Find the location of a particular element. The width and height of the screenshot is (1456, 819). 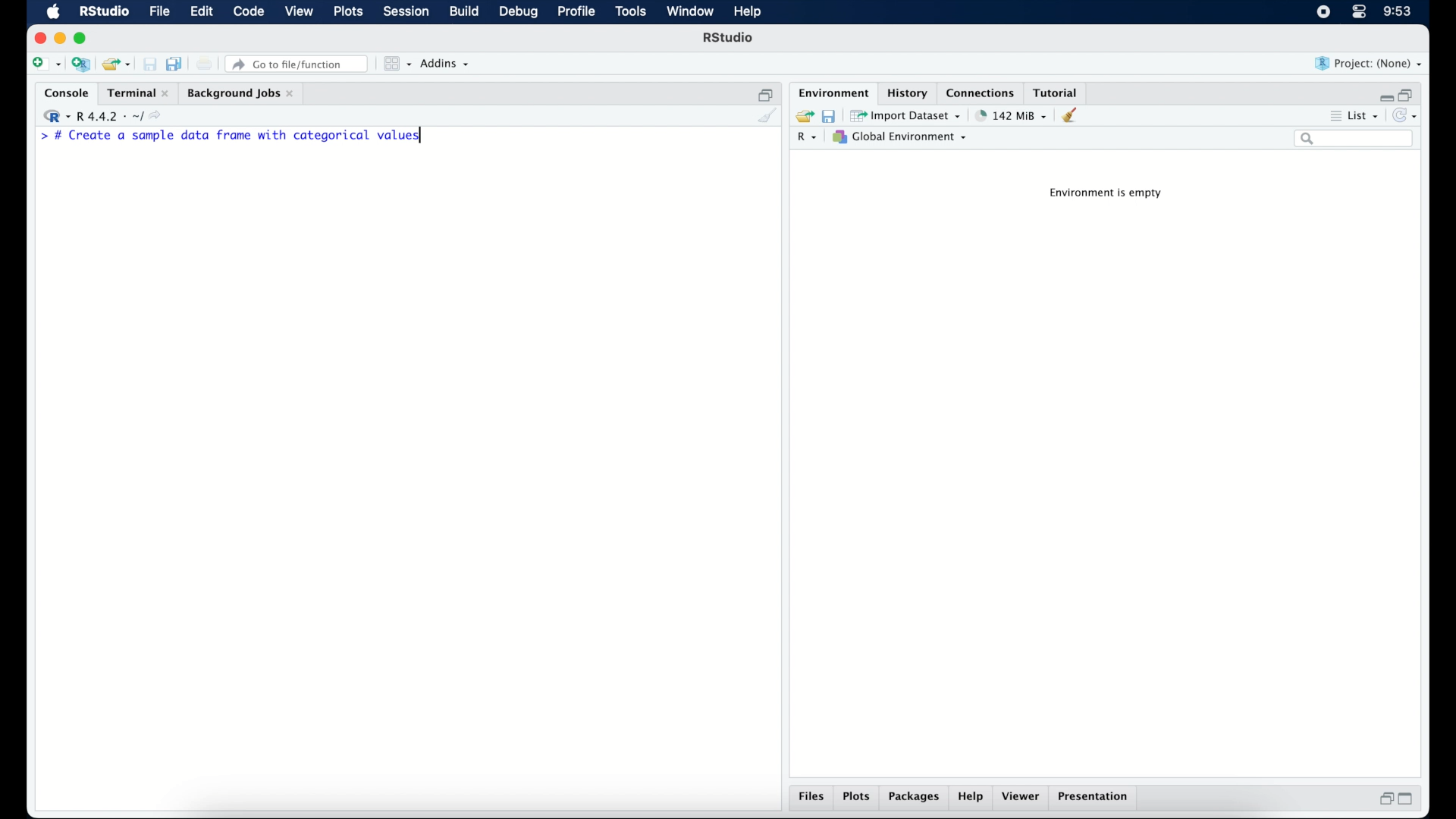

print is located at coordinates (205, 64).